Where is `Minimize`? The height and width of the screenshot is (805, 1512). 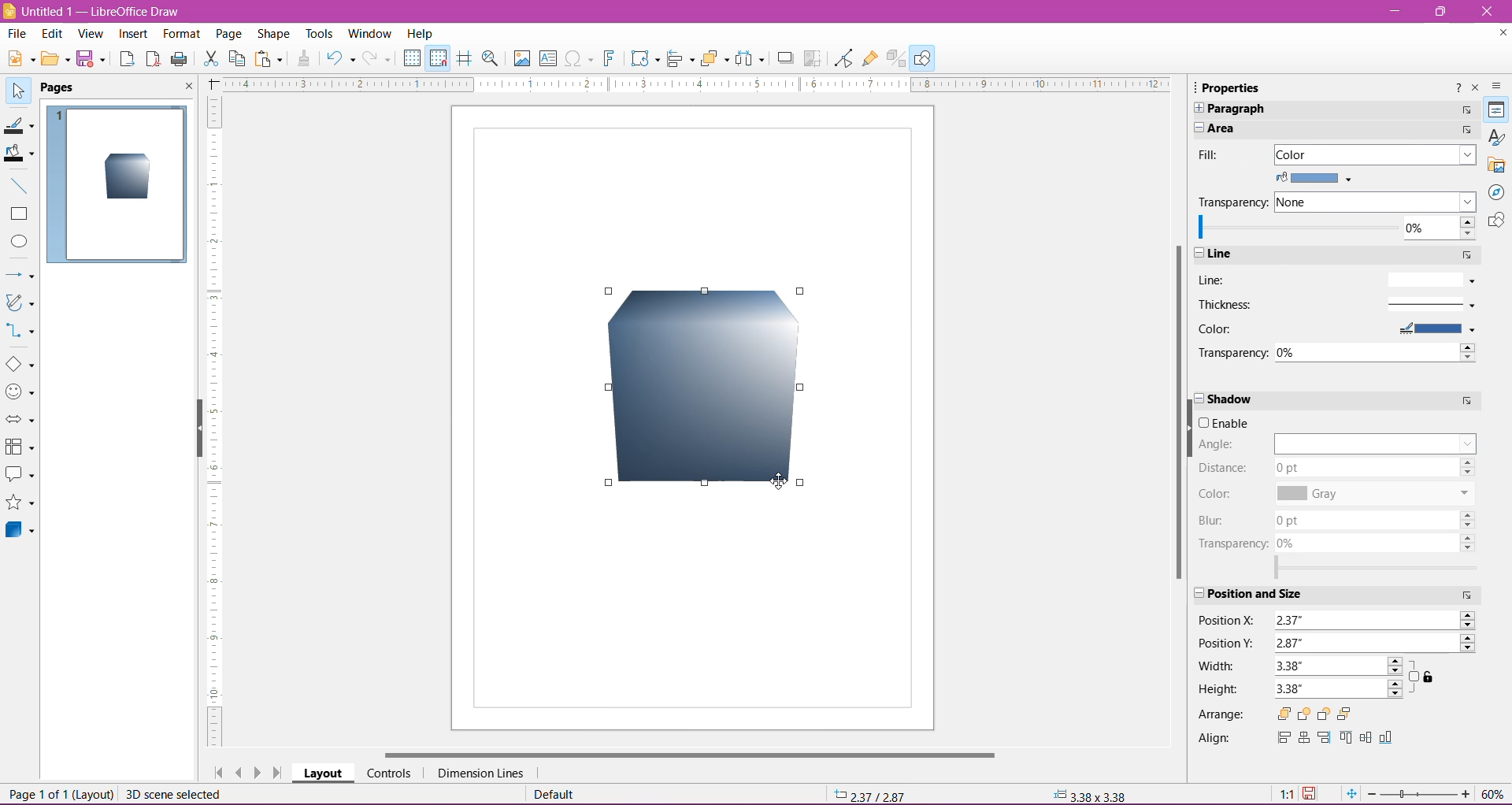 Minimize is located at coordinates (1393, 9).